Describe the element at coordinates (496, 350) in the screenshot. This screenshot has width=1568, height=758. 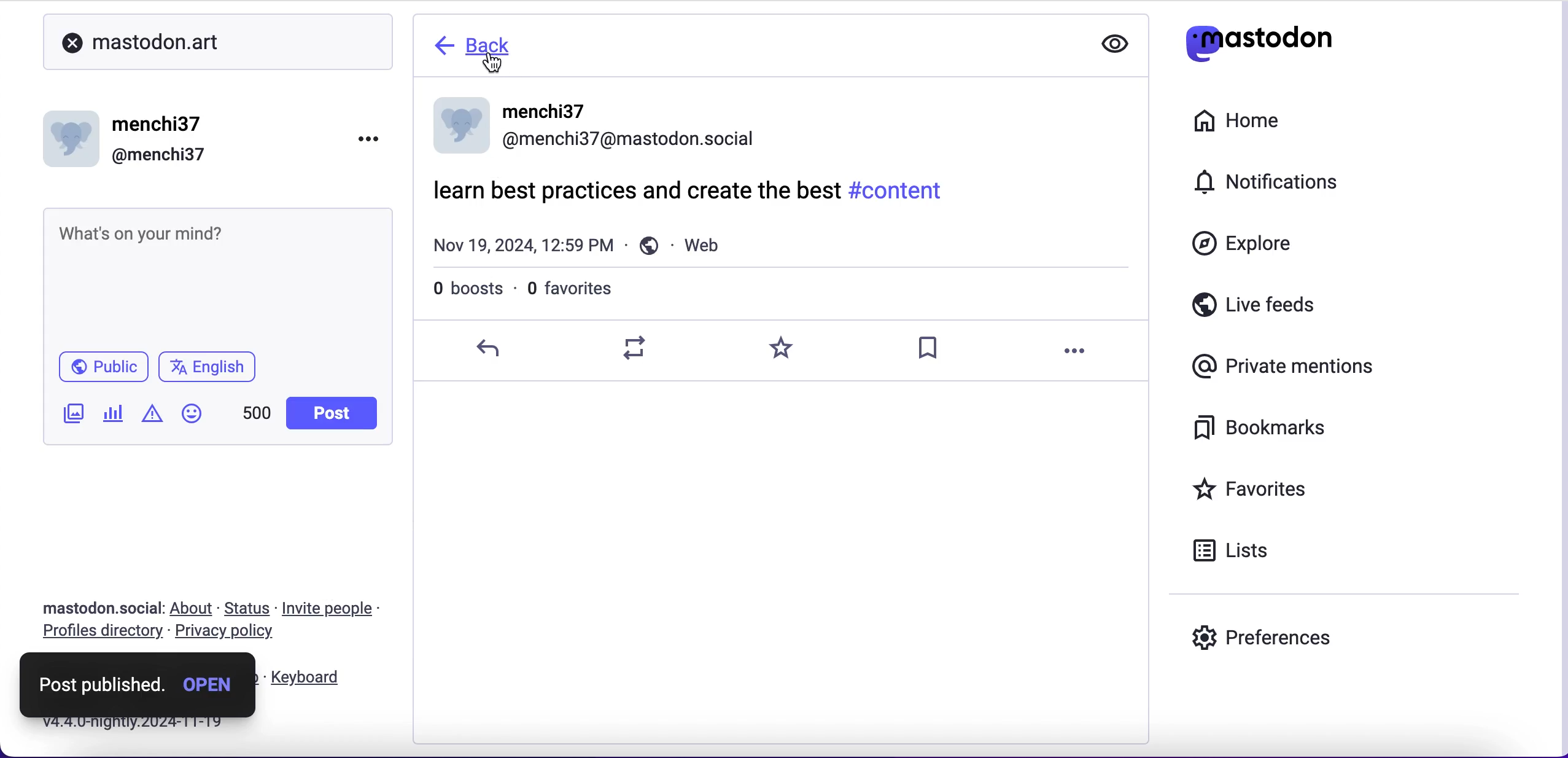
I see `reply` at that location.